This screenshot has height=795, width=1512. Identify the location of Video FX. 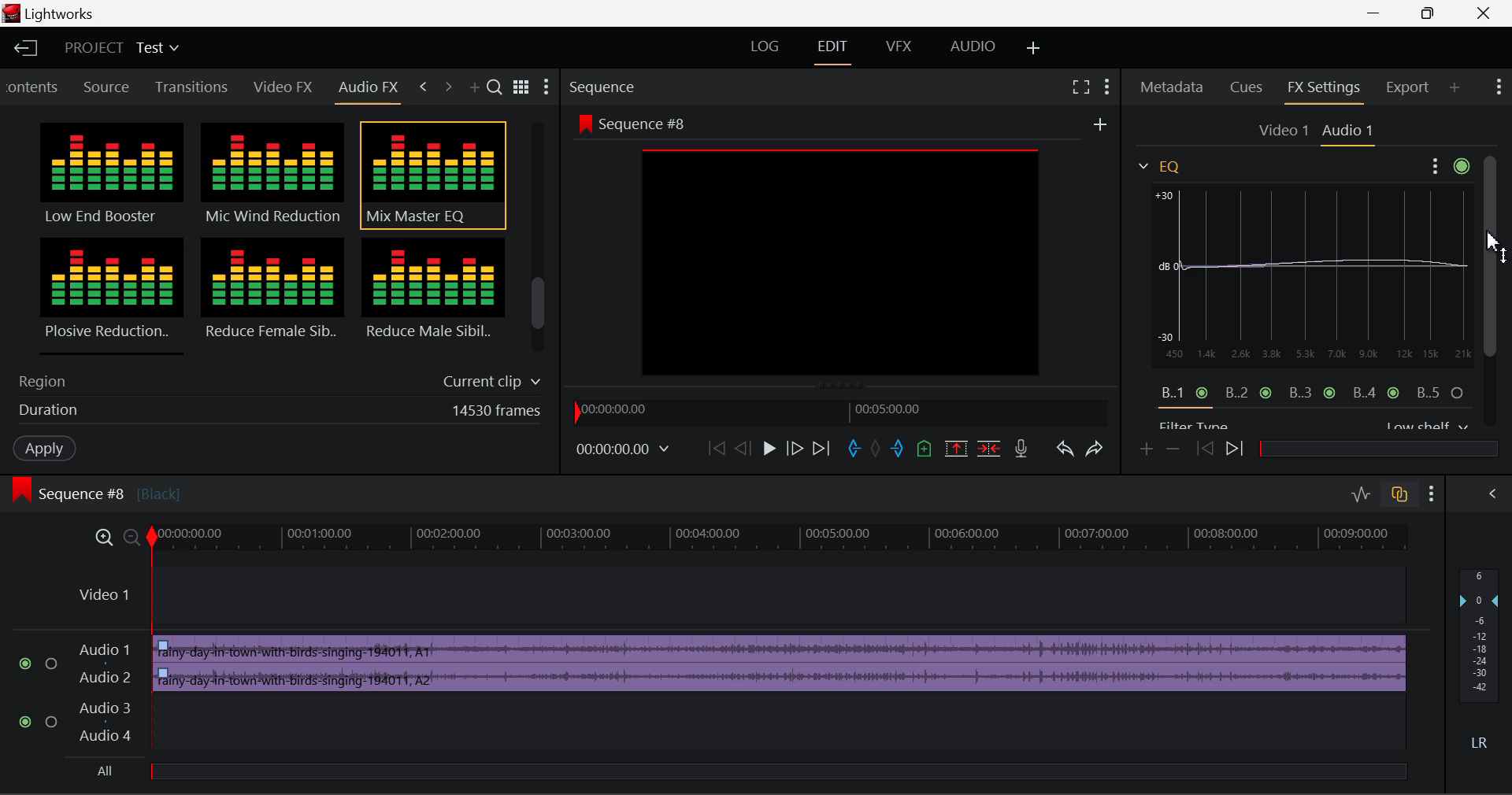
(279, 88).